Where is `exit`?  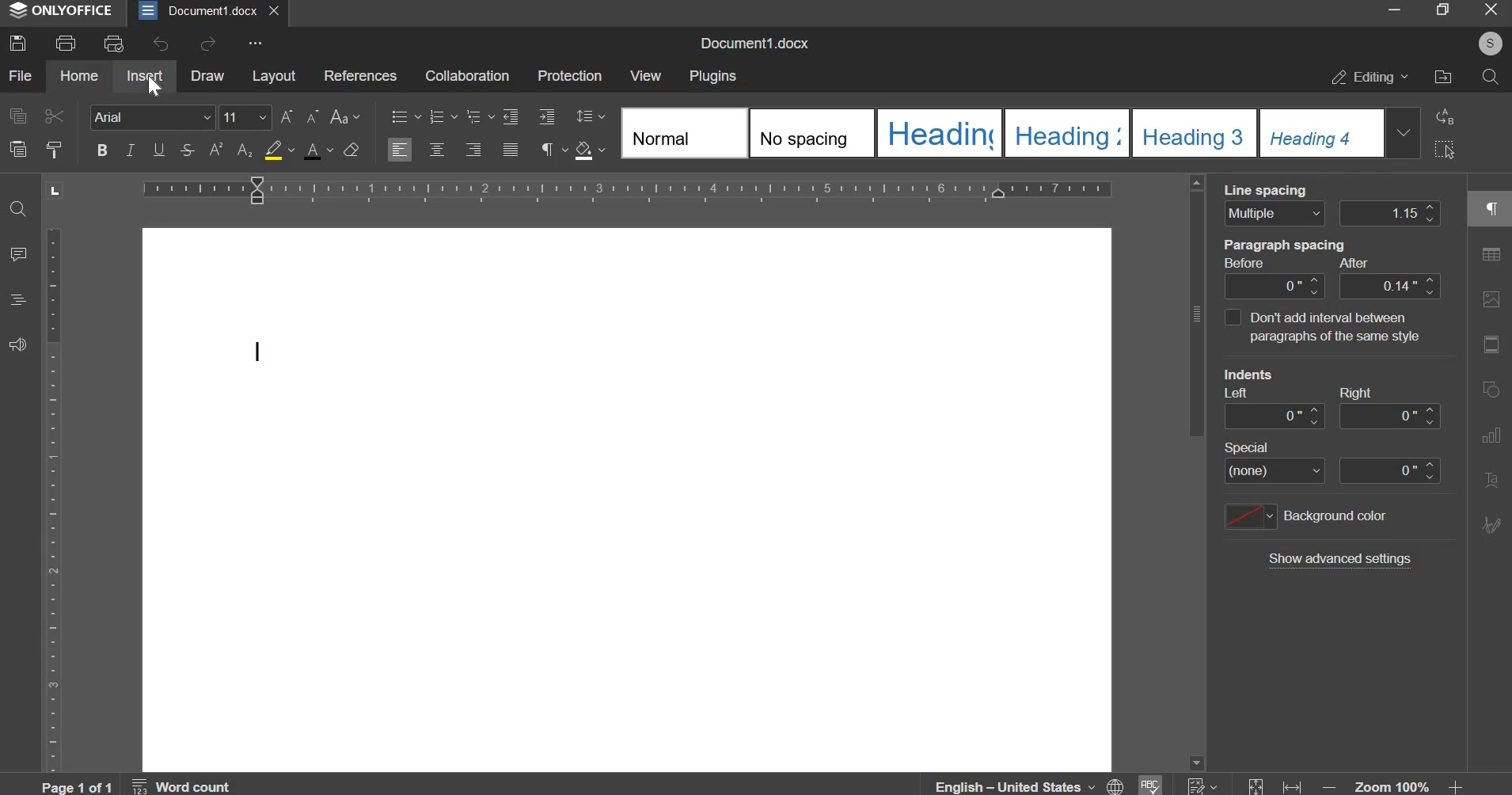 exit is located at coordinates (272, 10).